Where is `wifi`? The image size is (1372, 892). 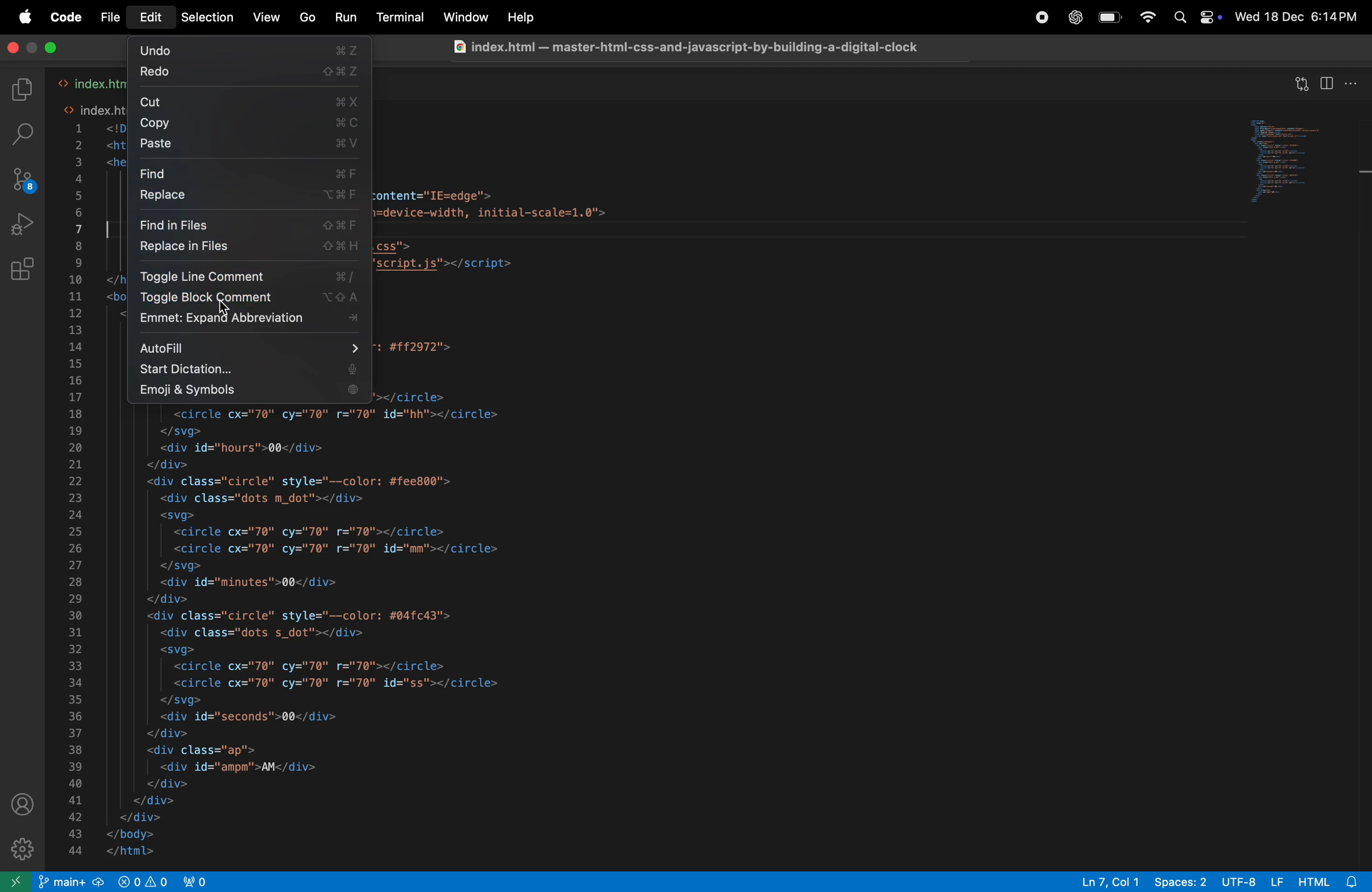
wifi is located at coordinates (1145, 17).